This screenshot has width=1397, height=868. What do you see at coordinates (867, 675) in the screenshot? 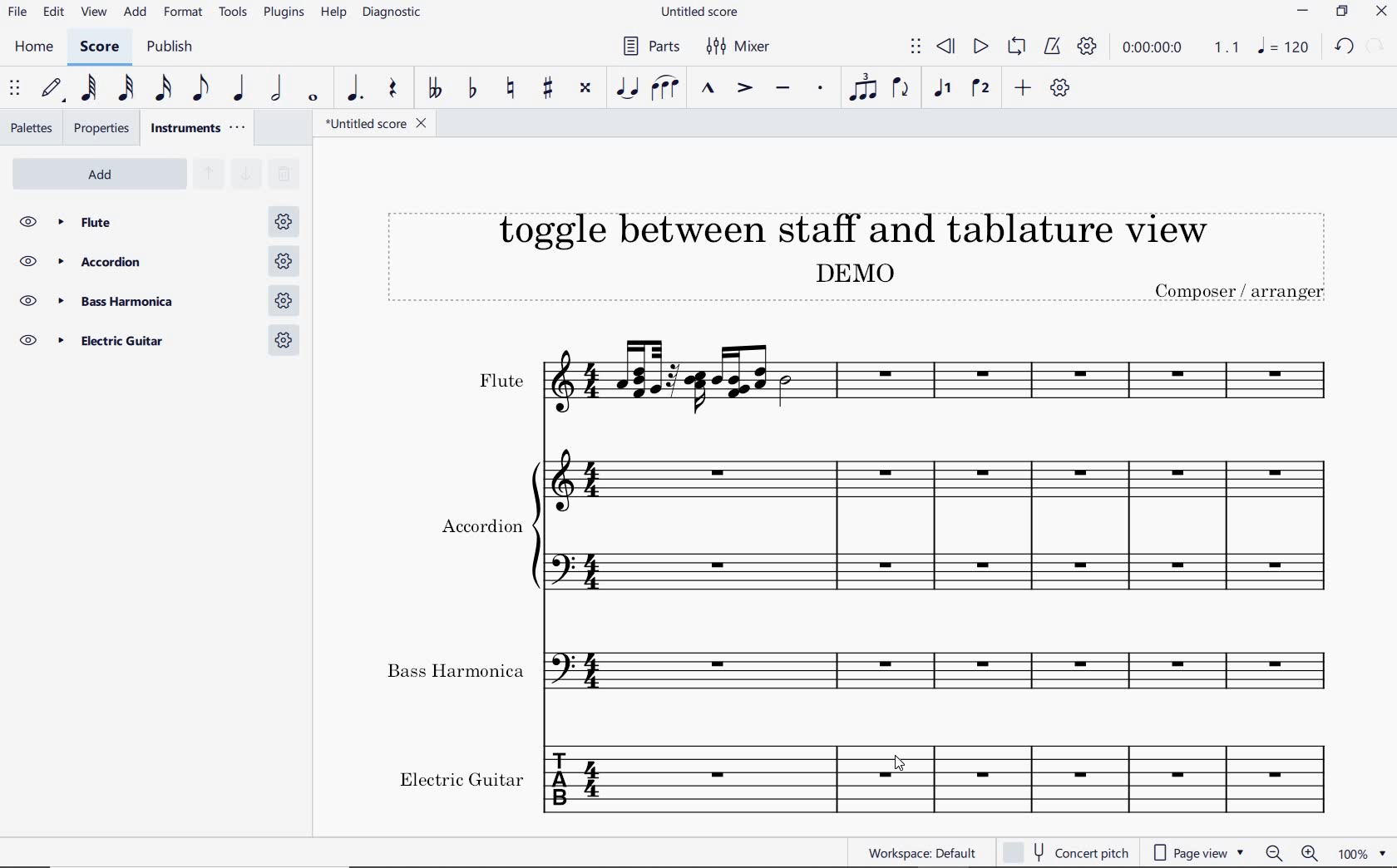
I see `Instrument: Bass Harmonica` at bounding box center [867, 675].